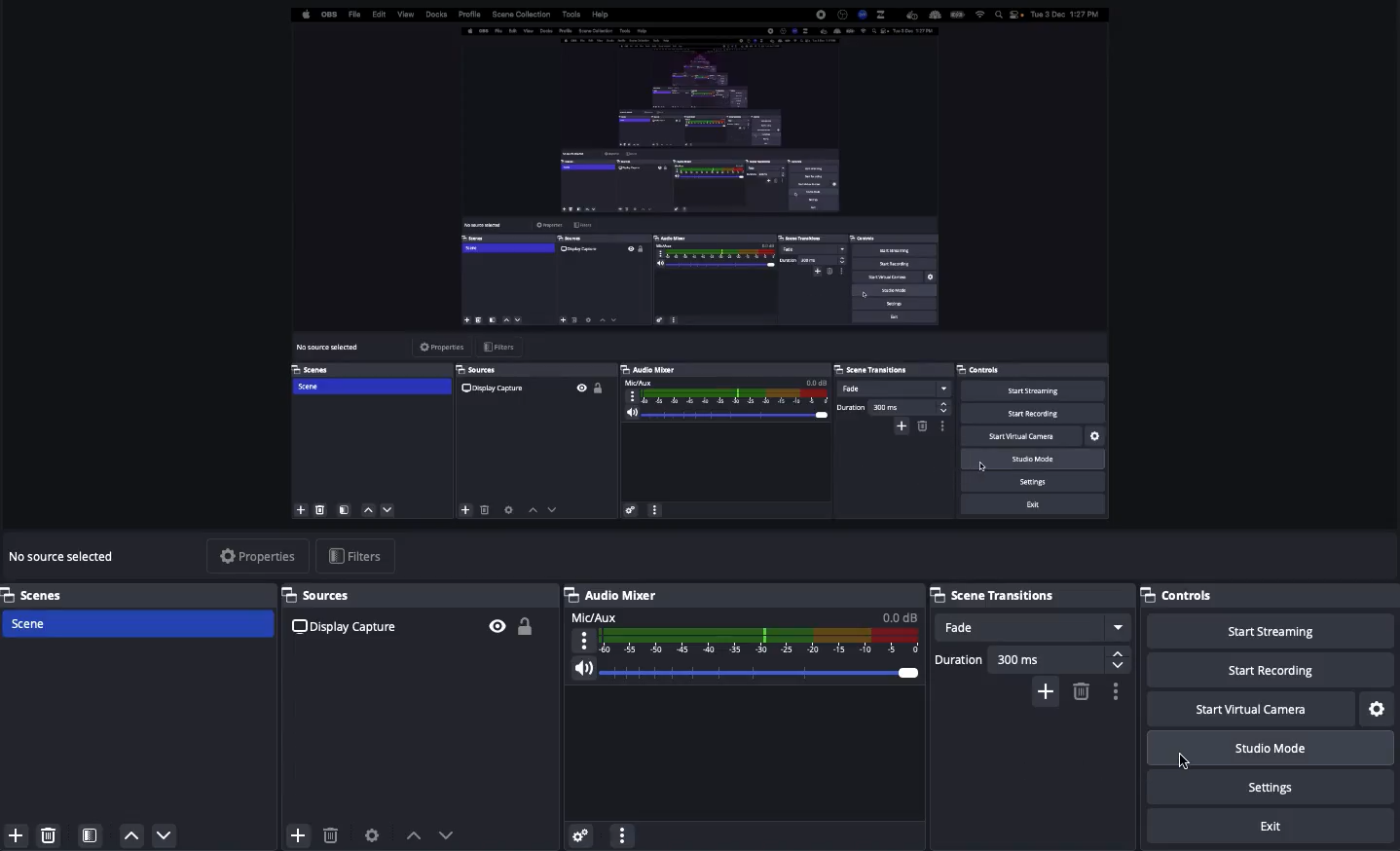 This screenshot has height=851, width=1400. Describe the element at coordinates (1271, 749) in the screenshot. I see `Studio mode` at that location.